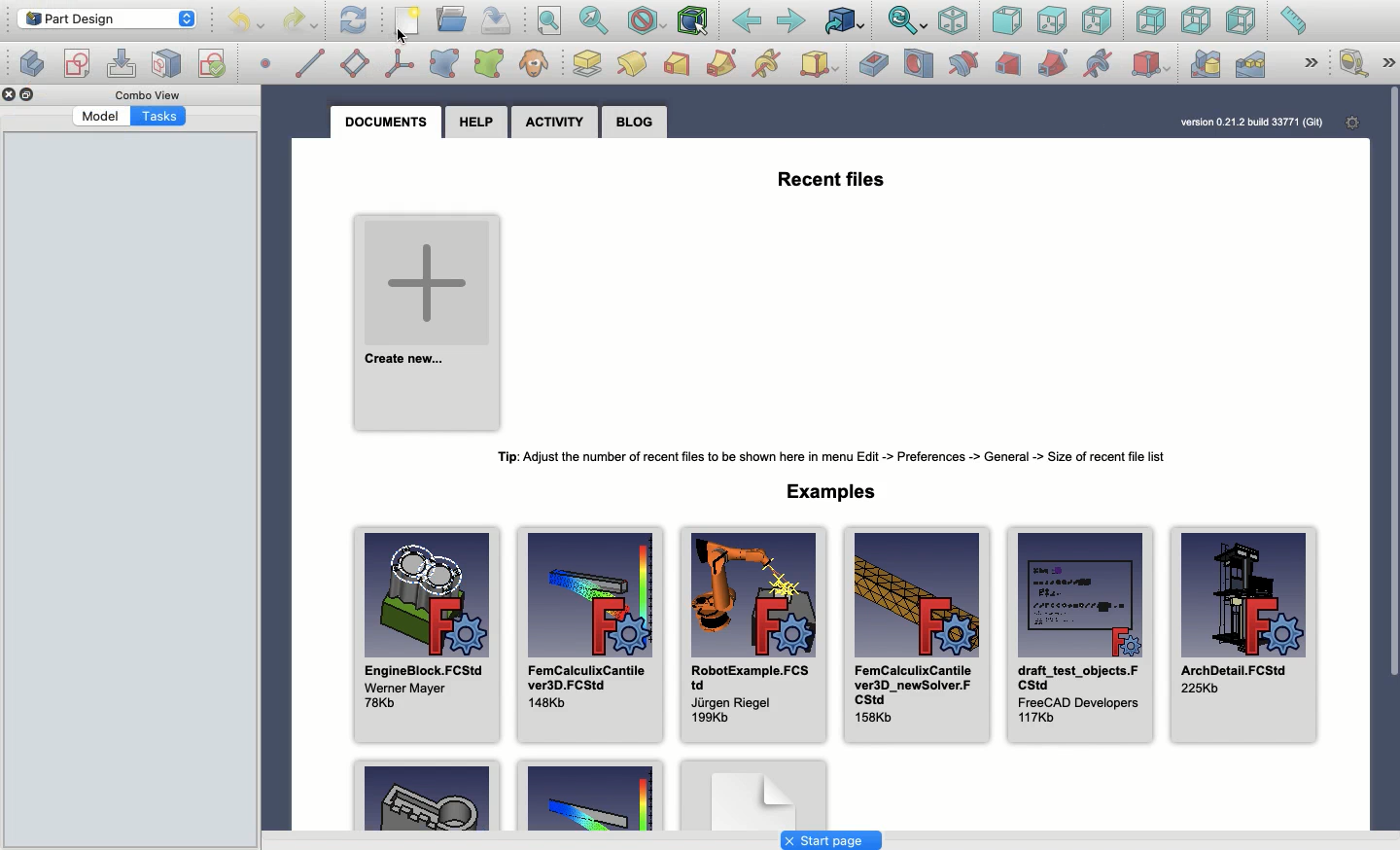 The height and width of the screenshot is (850, 1400). I want to click on Activity , so click(559, 125).